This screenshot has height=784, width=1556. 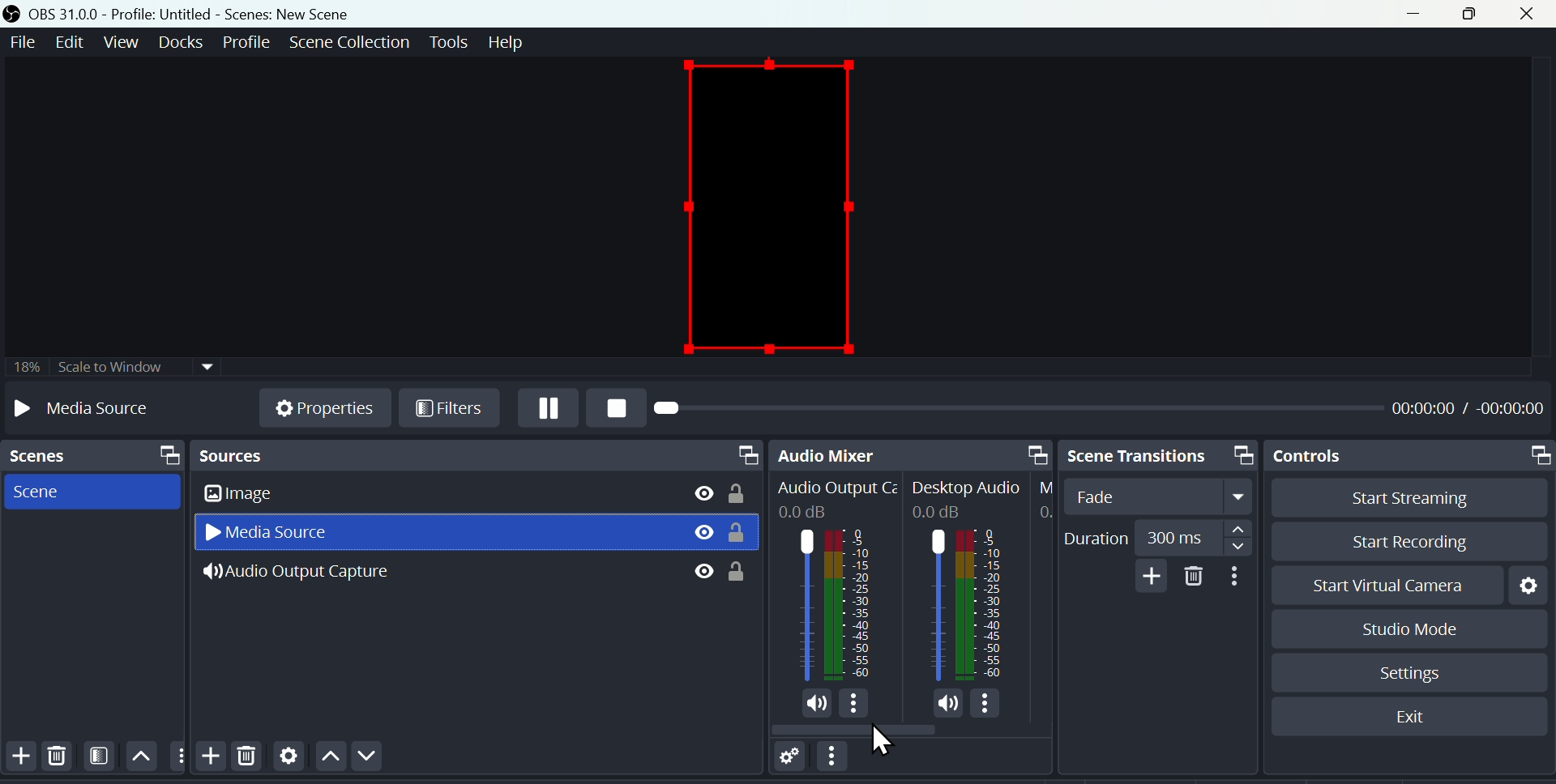 I want to click on Profile, so click(x=242, y=41).